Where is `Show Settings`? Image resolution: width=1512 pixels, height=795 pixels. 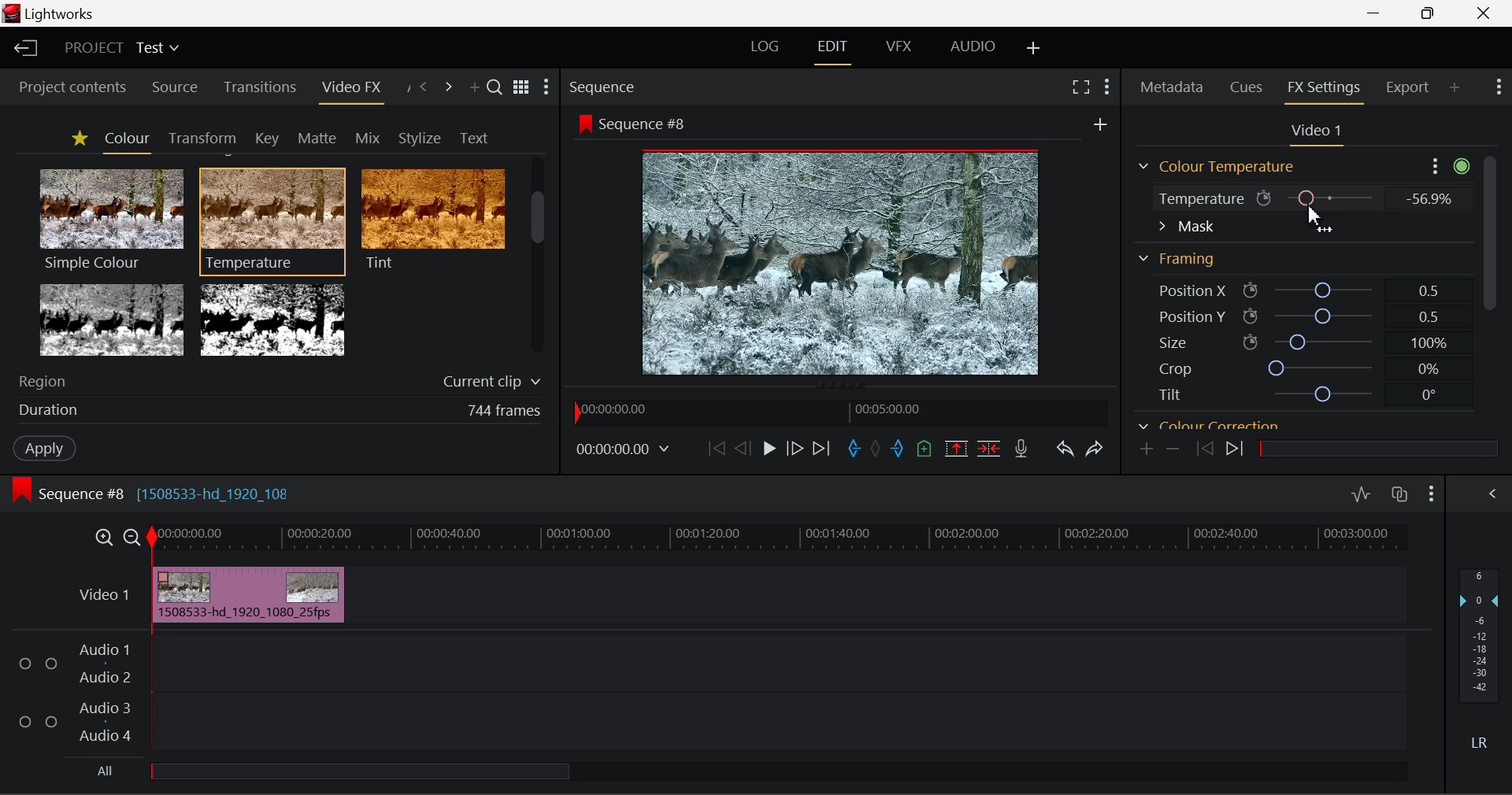
Show Settings is located at coordinates (1499, 90).